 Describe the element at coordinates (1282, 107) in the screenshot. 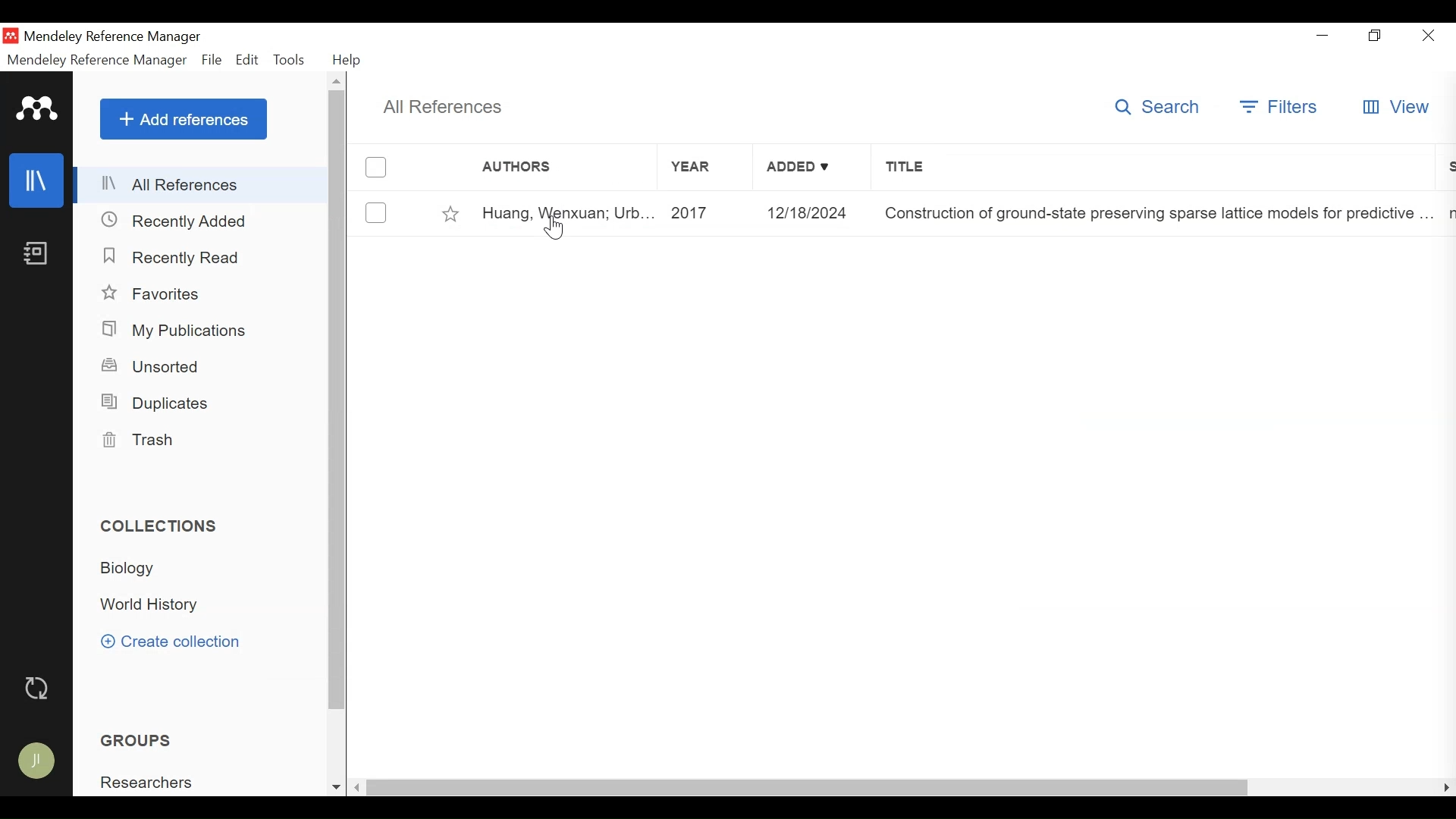

I see `Filters` at that location.